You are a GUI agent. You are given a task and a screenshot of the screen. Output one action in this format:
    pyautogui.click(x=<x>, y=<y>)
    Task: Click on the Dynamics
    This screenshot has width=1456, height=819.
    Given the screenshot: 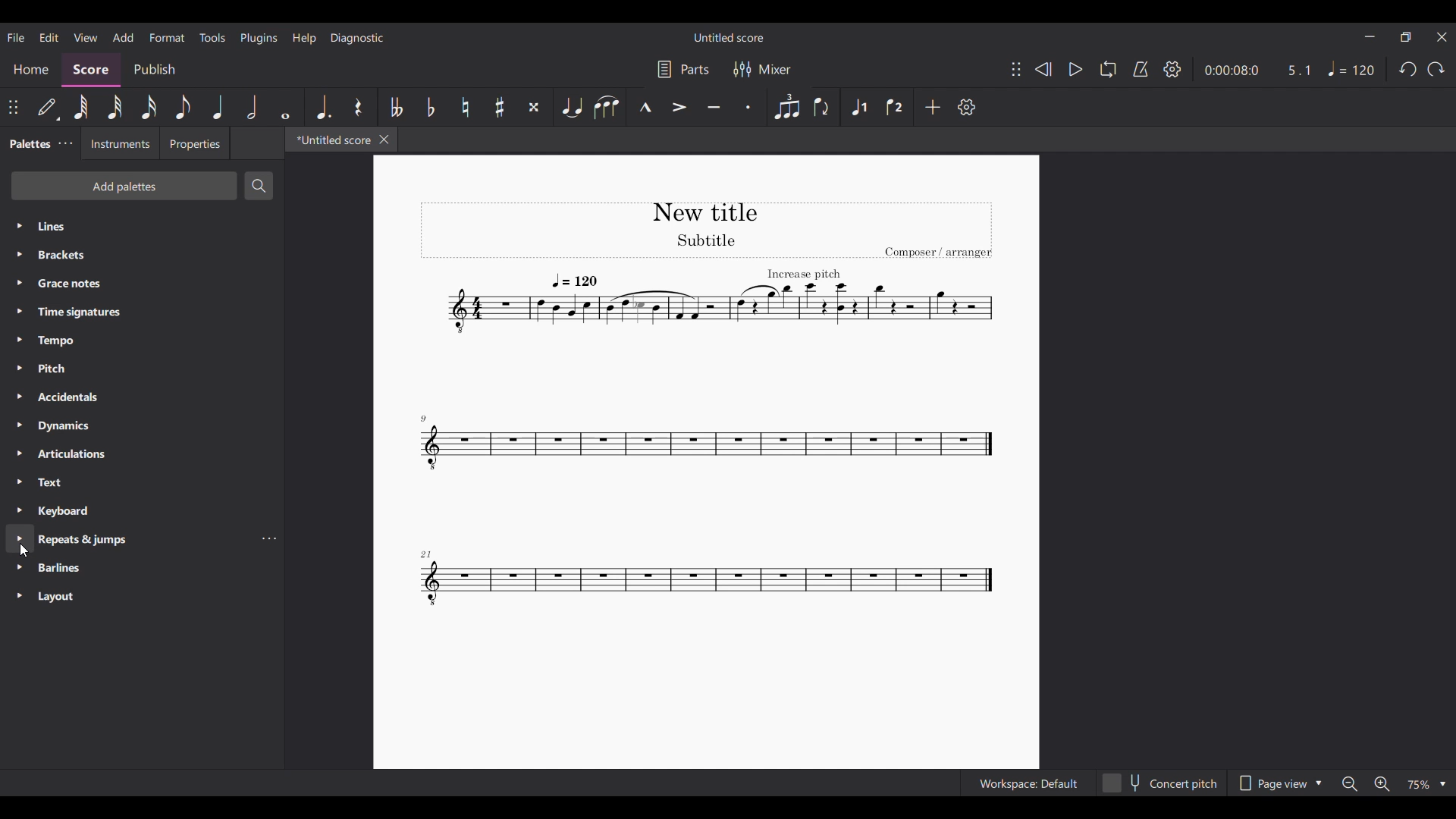 What is the action you would take?
    pyautogui.click(x=142, y=426)
    